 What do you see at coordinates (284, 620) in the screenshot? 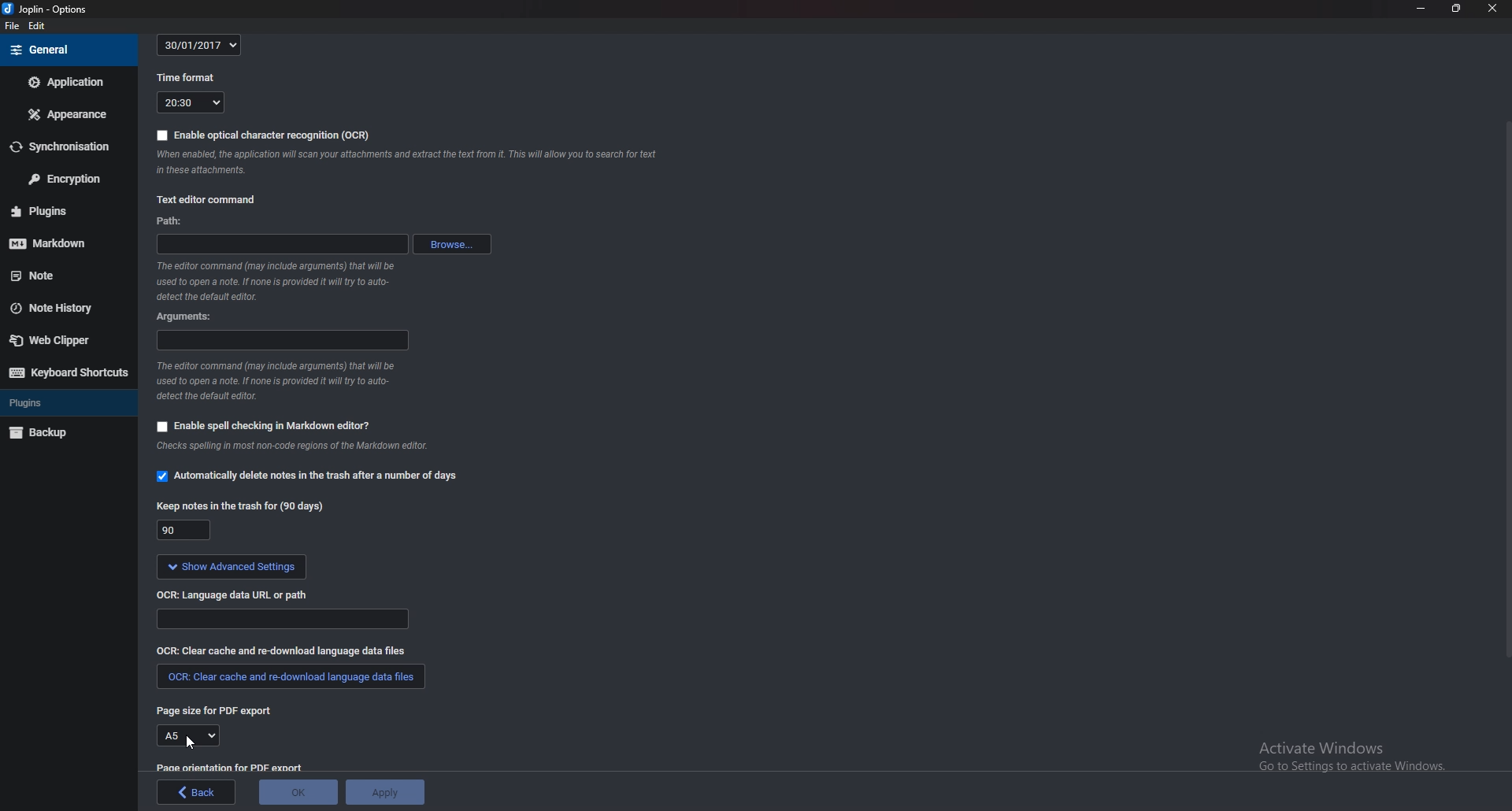
I see `Language data` at bounding box center [284, 620].